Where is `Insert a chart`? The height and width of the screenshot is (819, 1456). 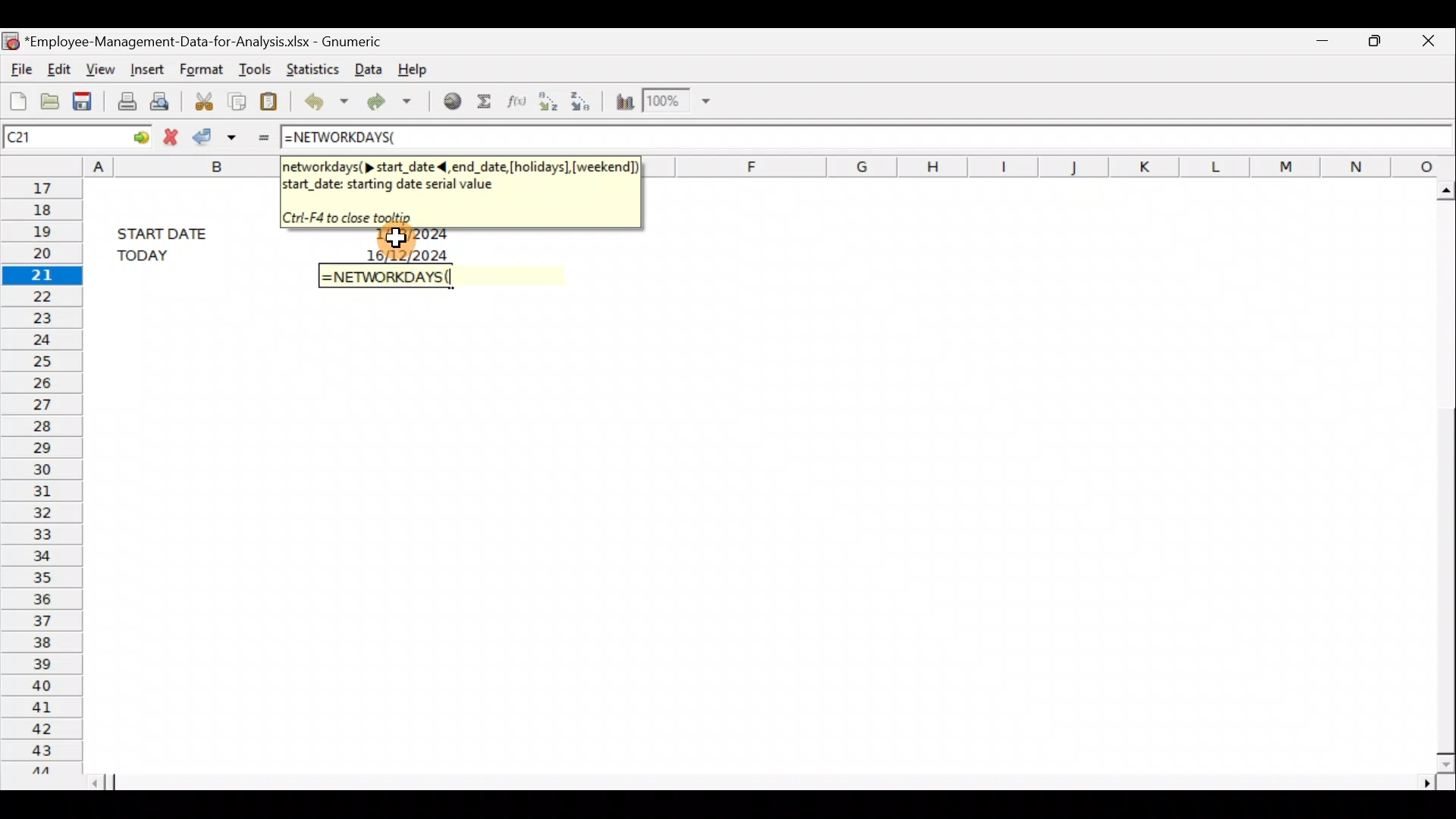 Insert a chart is located at coordinates (623, 99).